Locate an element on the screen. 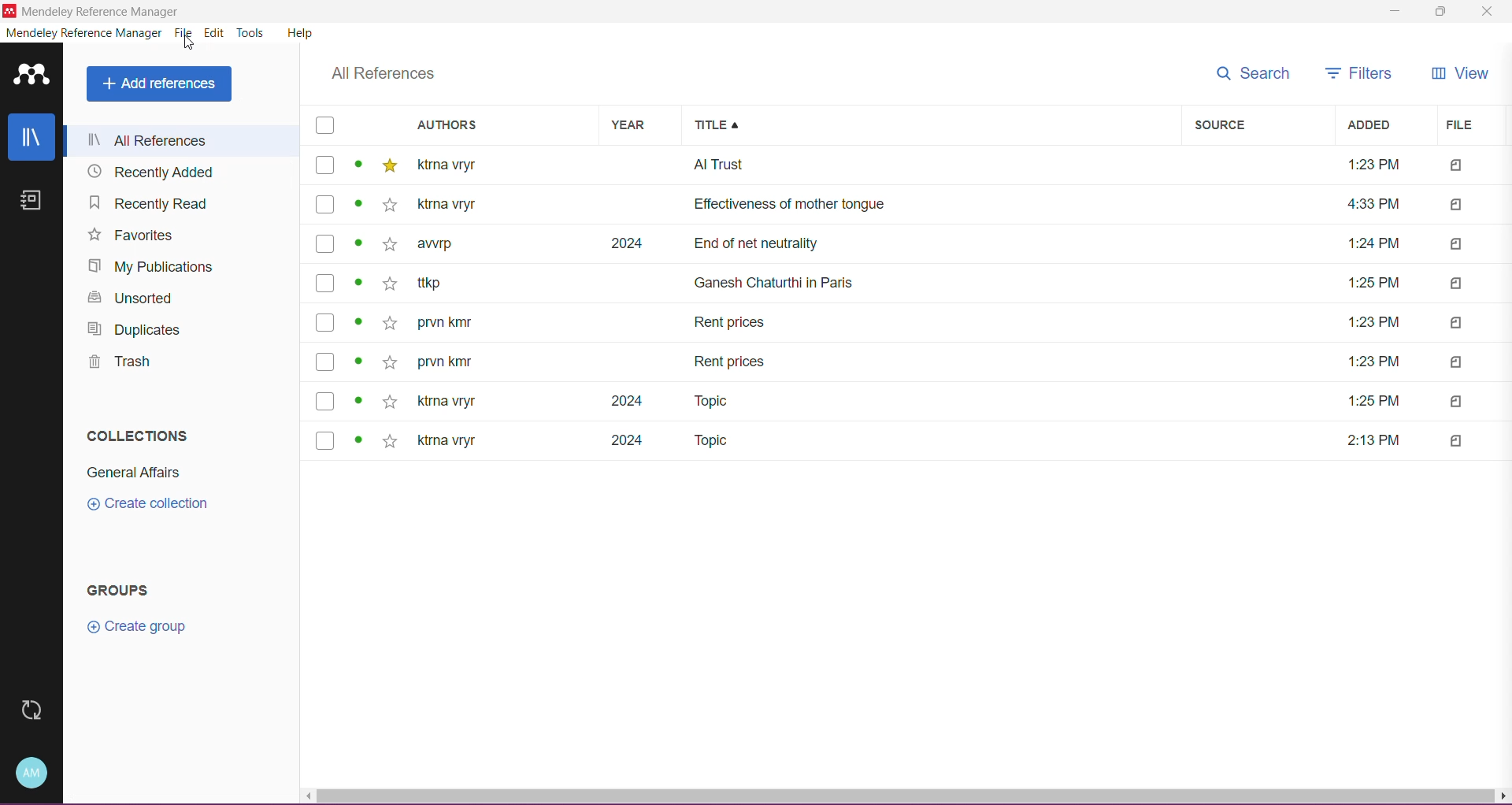  Library is located at coordinates (35, 139).